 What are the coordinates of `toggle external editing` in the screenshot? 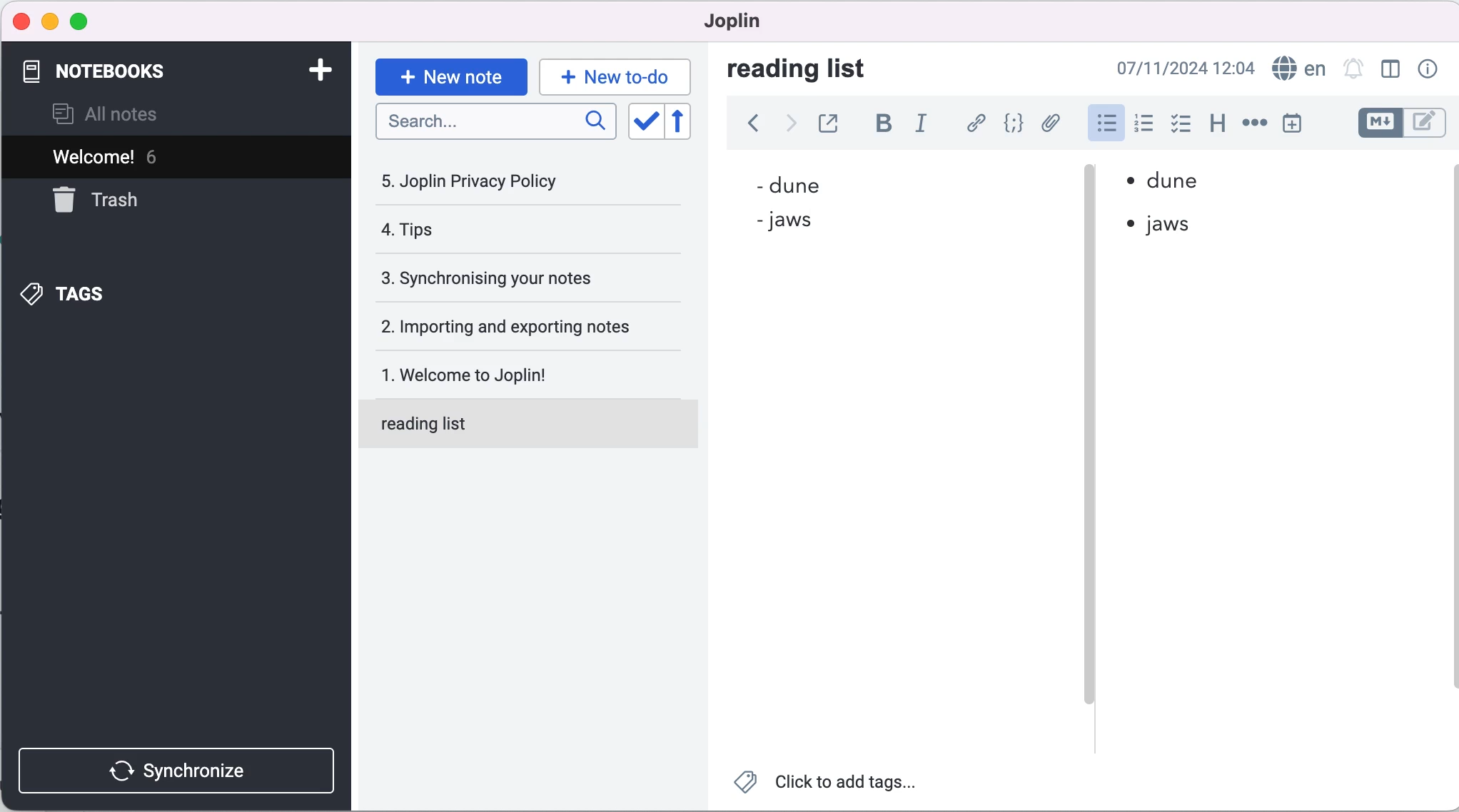 It's located at (835, 122).